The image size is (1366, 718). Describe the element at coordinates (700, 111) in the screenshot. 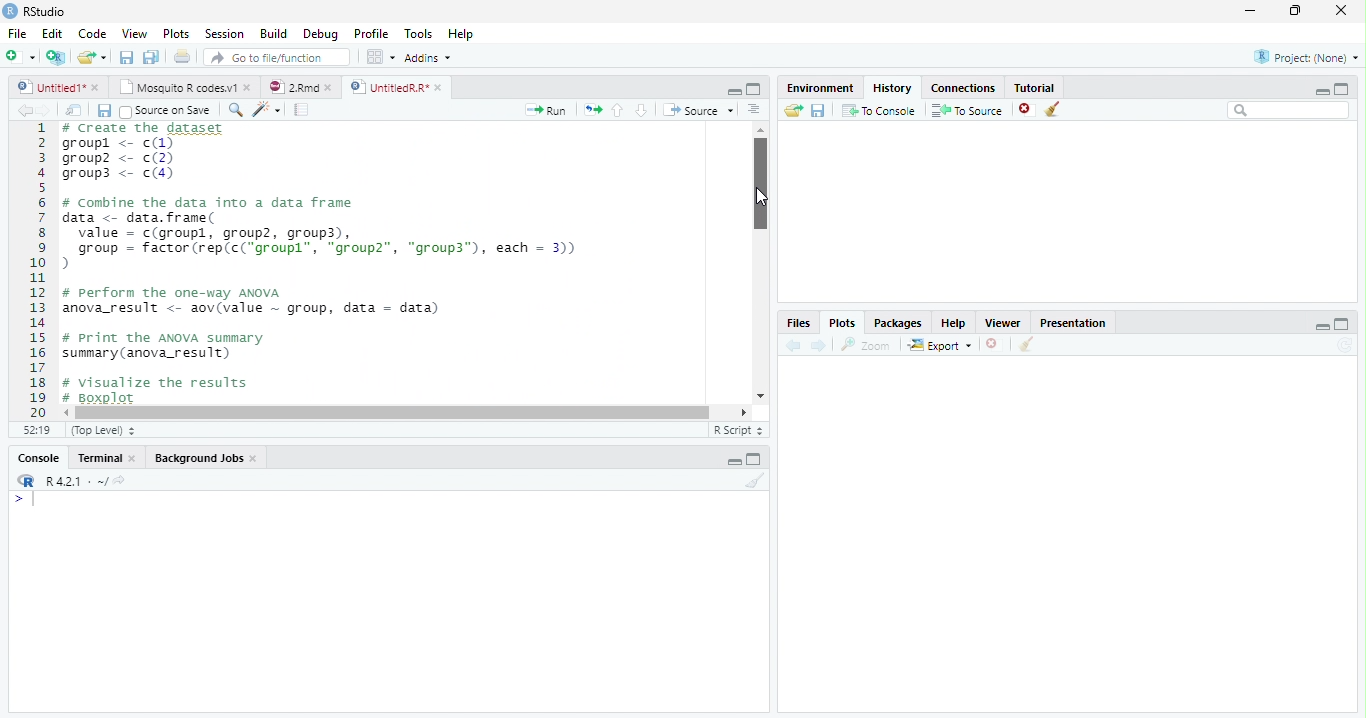

I see `Source` at that location.